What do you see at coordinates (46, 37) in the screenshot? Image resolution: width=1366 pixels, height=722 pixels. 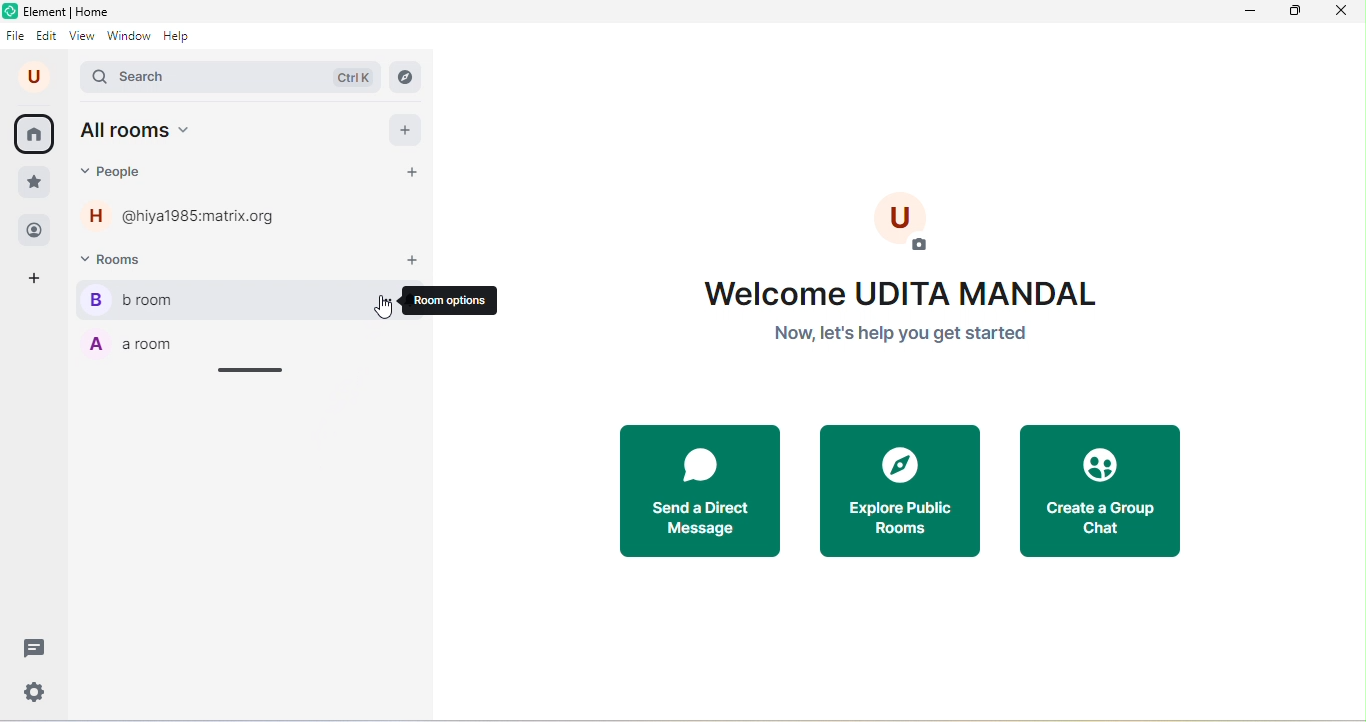 I see `edit` at bounding box center [46, 37].